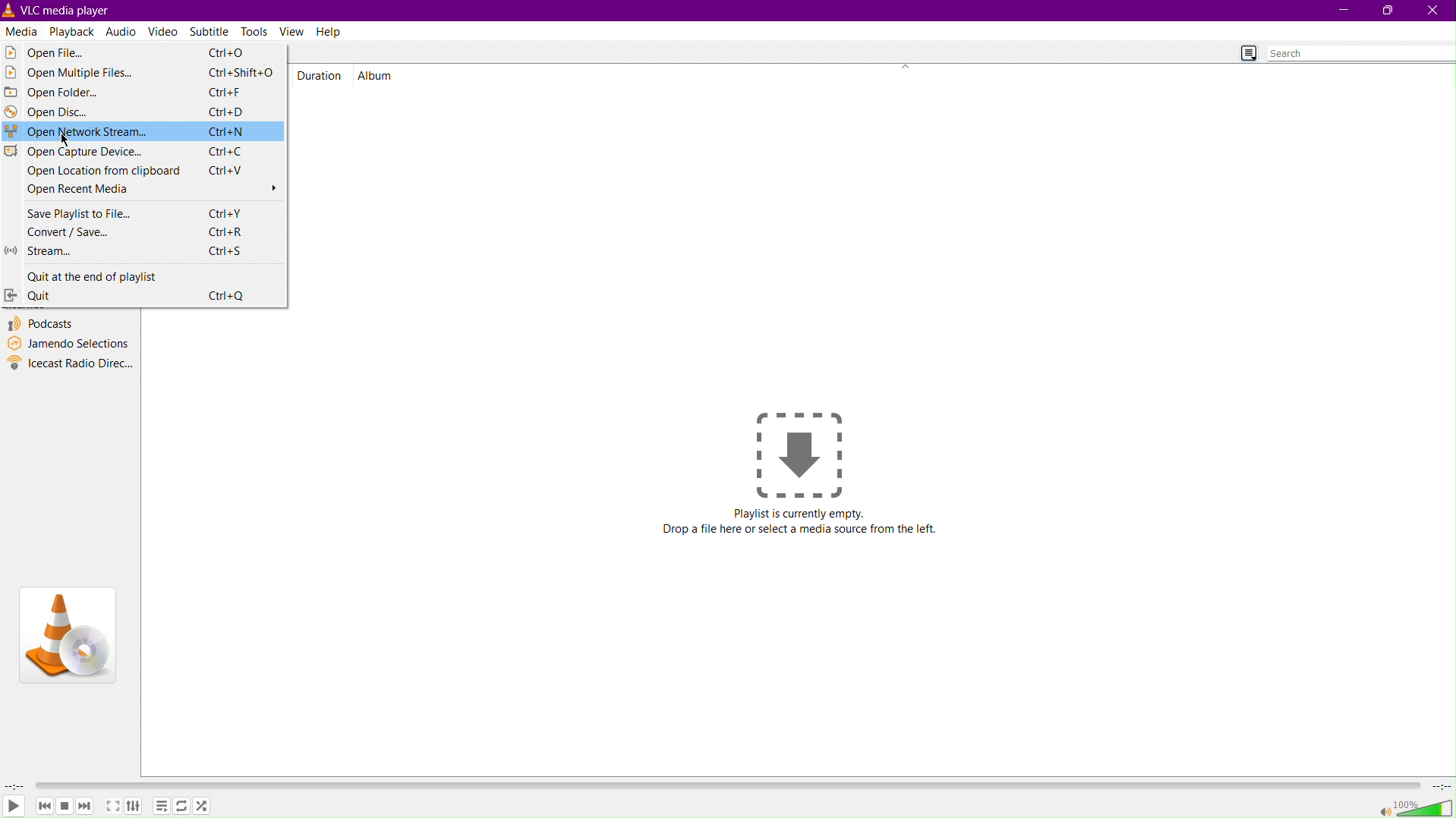 Image resolution: width=1456 pixels, height=818 pixels. I want to click on Open Folder, so click(71, 93).